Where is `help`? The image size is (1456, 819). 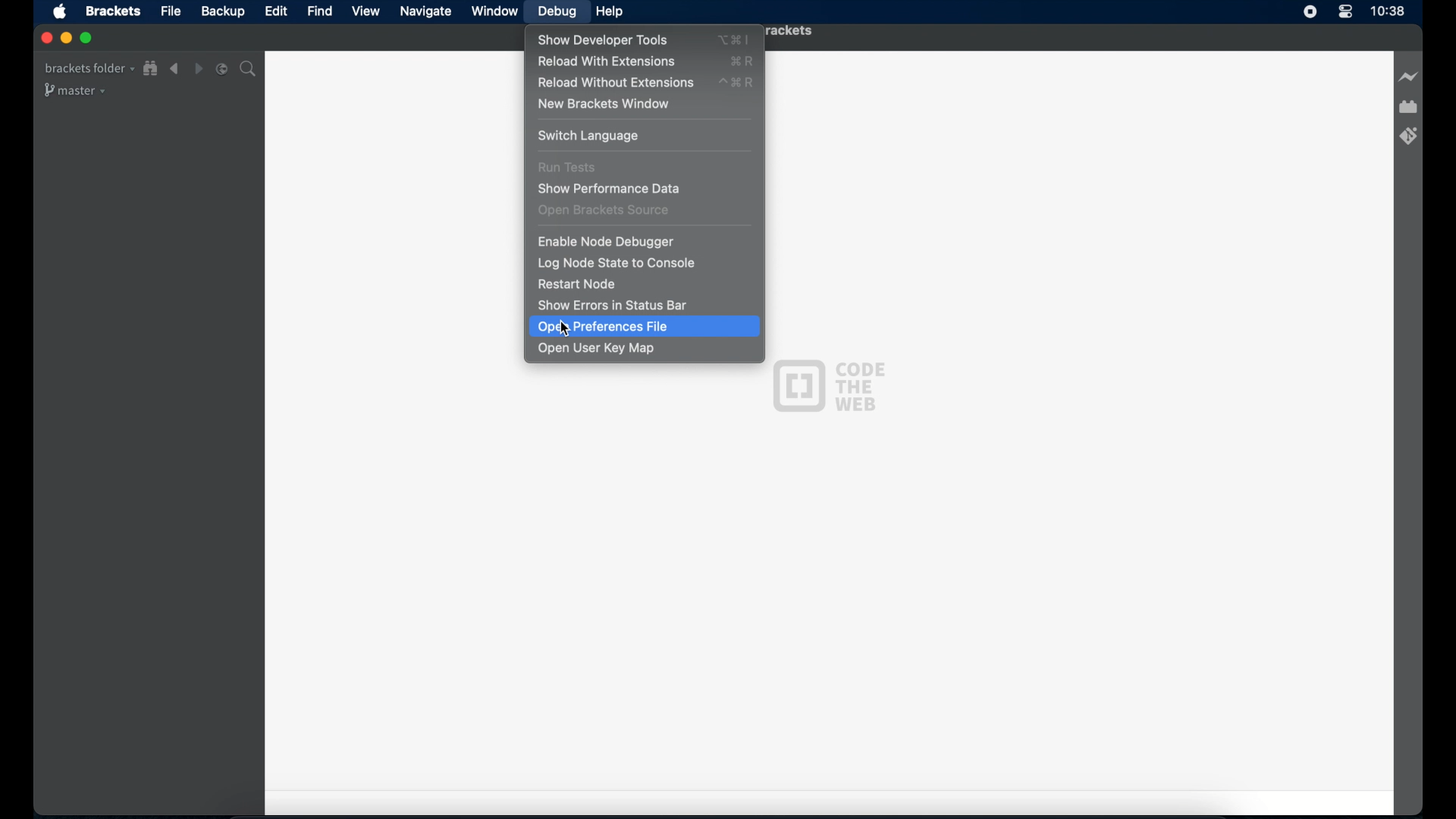
help is located at coordinates (610, 13).